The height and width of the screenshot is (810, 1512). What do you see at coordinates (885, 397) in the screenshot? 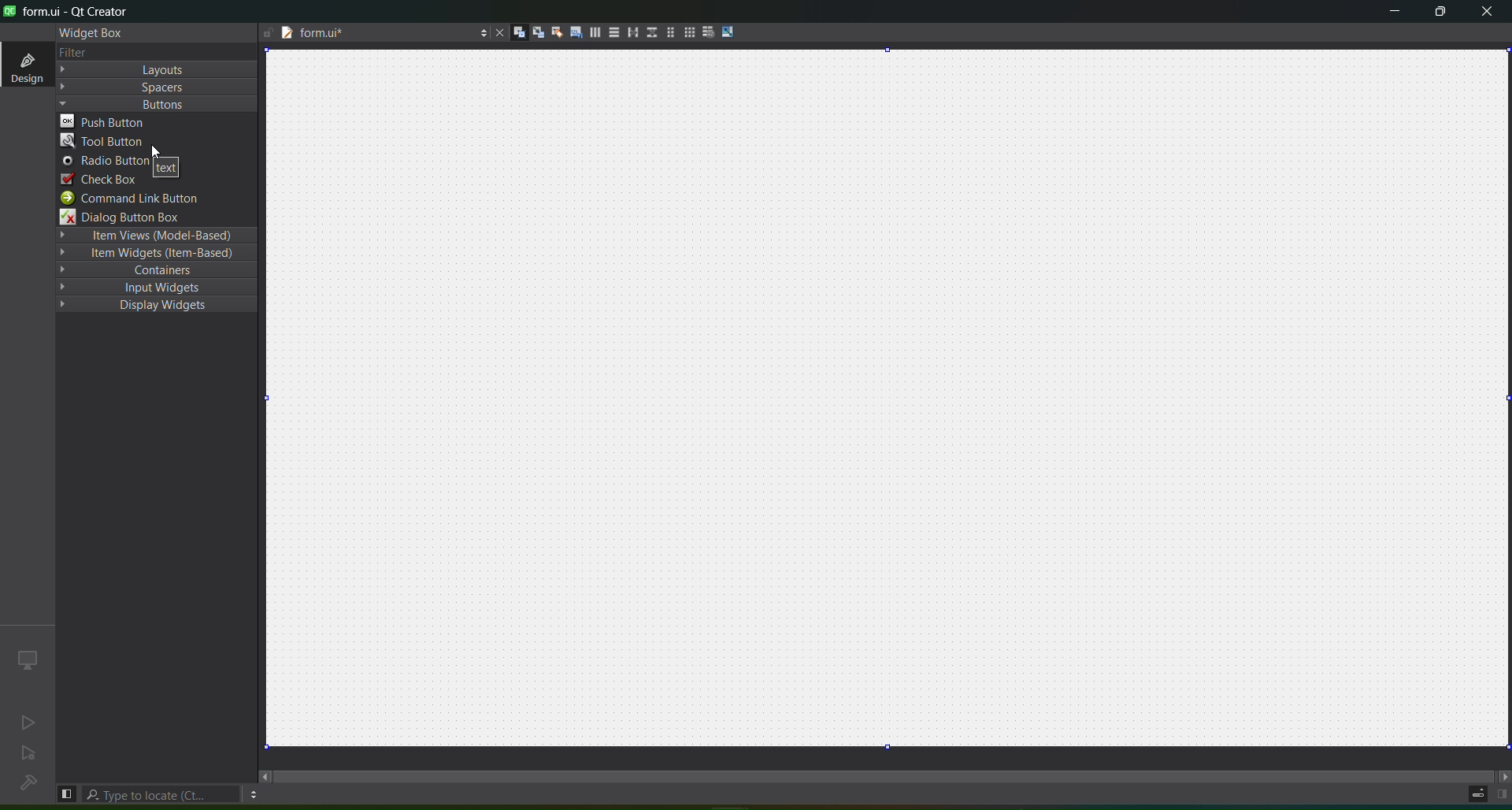
I see `canvas` at bounding box center [885, 397].